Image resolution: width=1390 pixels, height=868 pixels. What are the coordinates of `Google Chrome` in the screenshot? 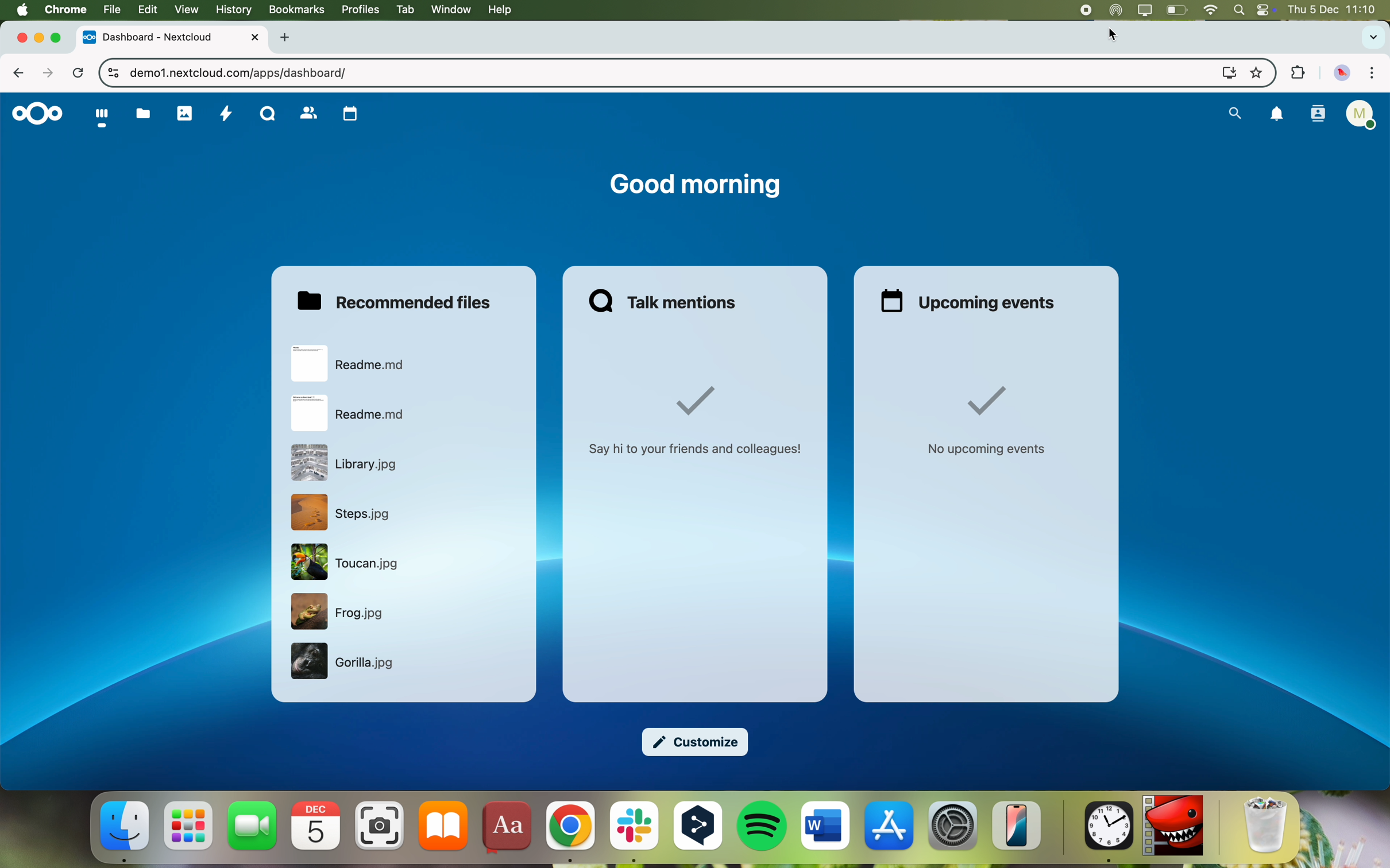 It's located at (569, 832).